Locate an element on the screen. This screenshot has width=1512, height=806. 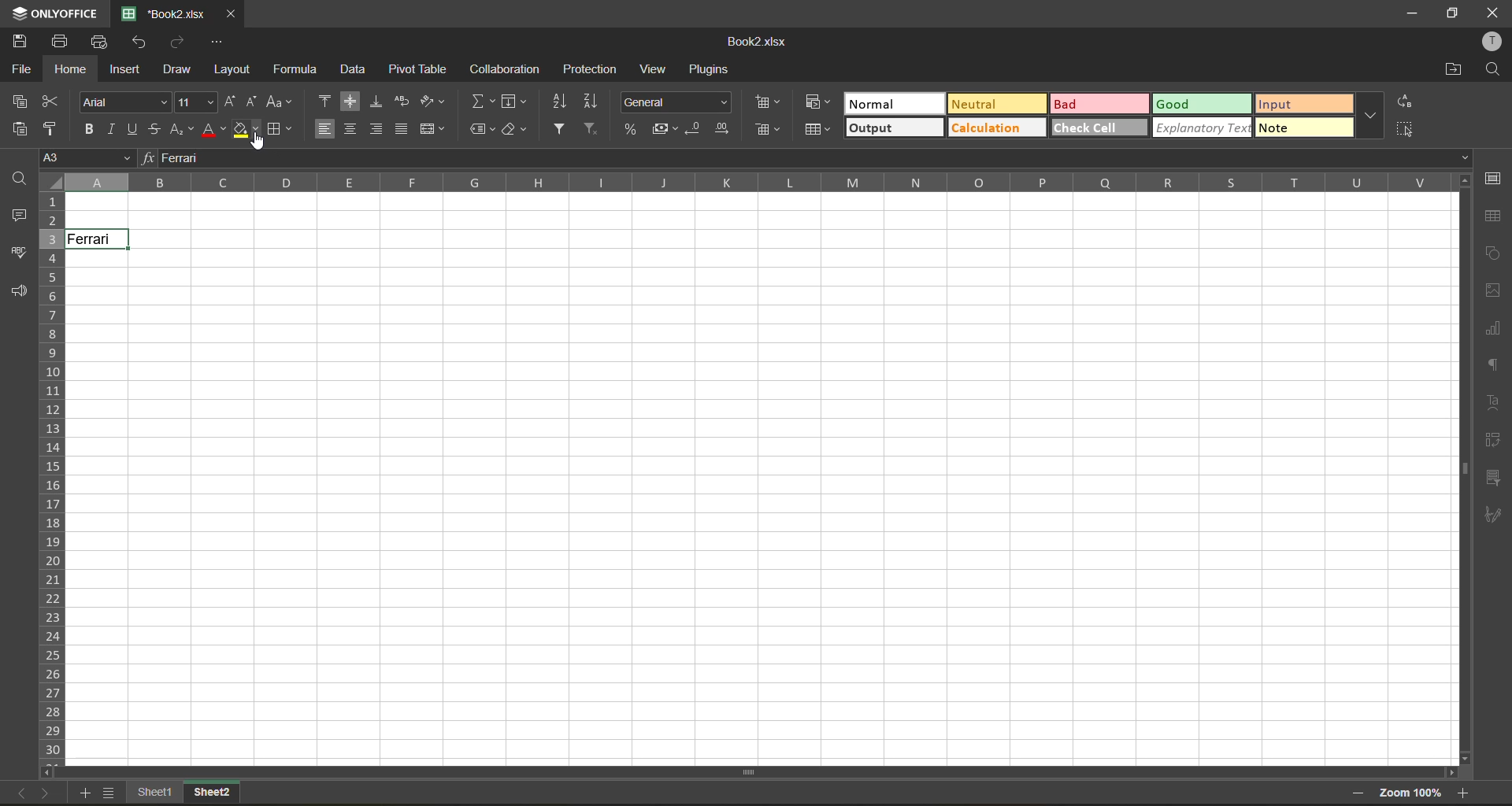
sort descending is located at coordinates (591, 102).